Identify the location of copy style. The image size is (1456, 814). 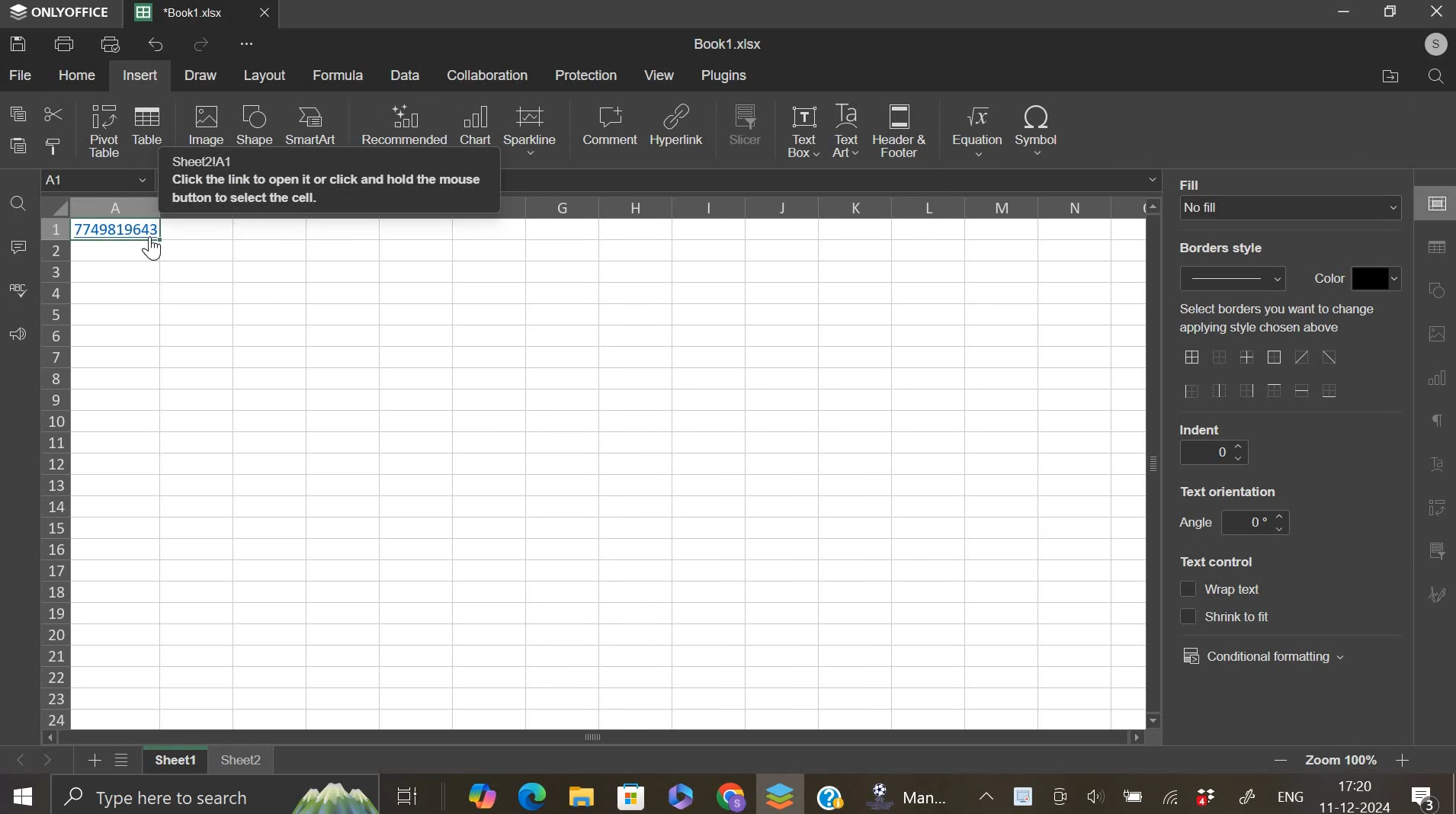
(53, 146).